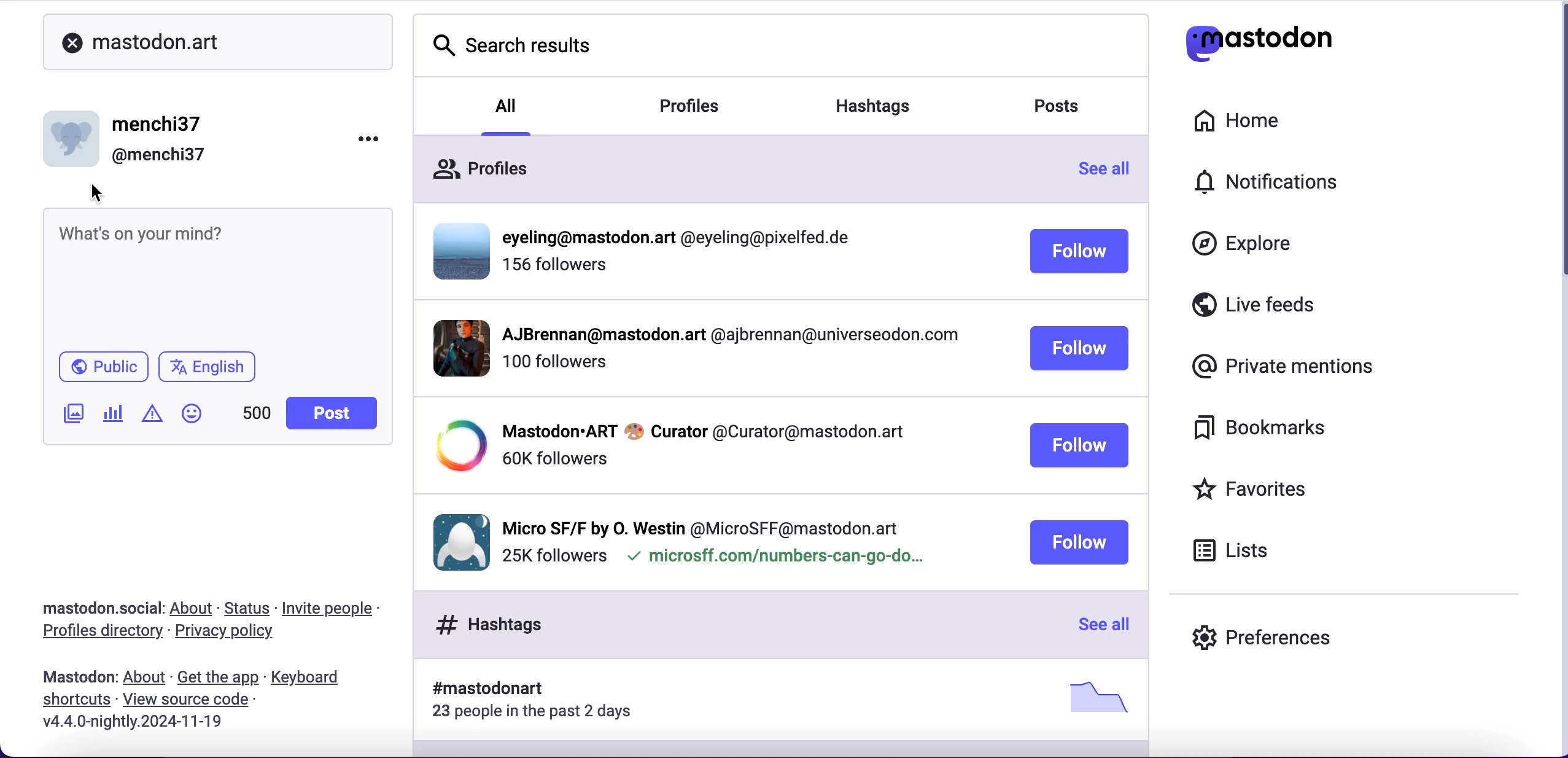  Describe the element at coordinates (141, 725) in the screenshot. I see `2024-11-19` at that location.